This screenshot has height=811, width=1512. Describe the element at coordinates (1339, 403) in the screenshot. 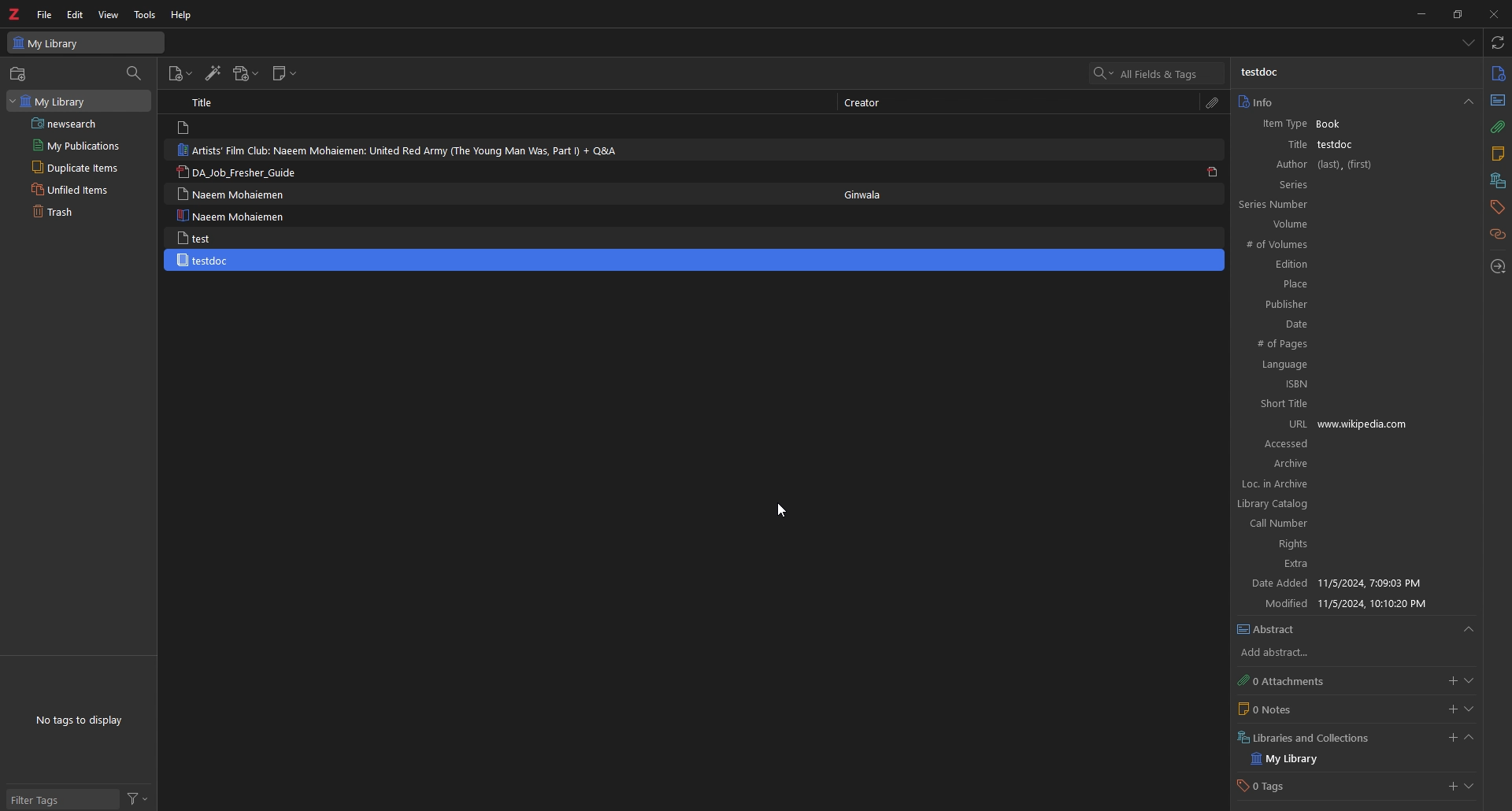

I see `Short Title` at that location.